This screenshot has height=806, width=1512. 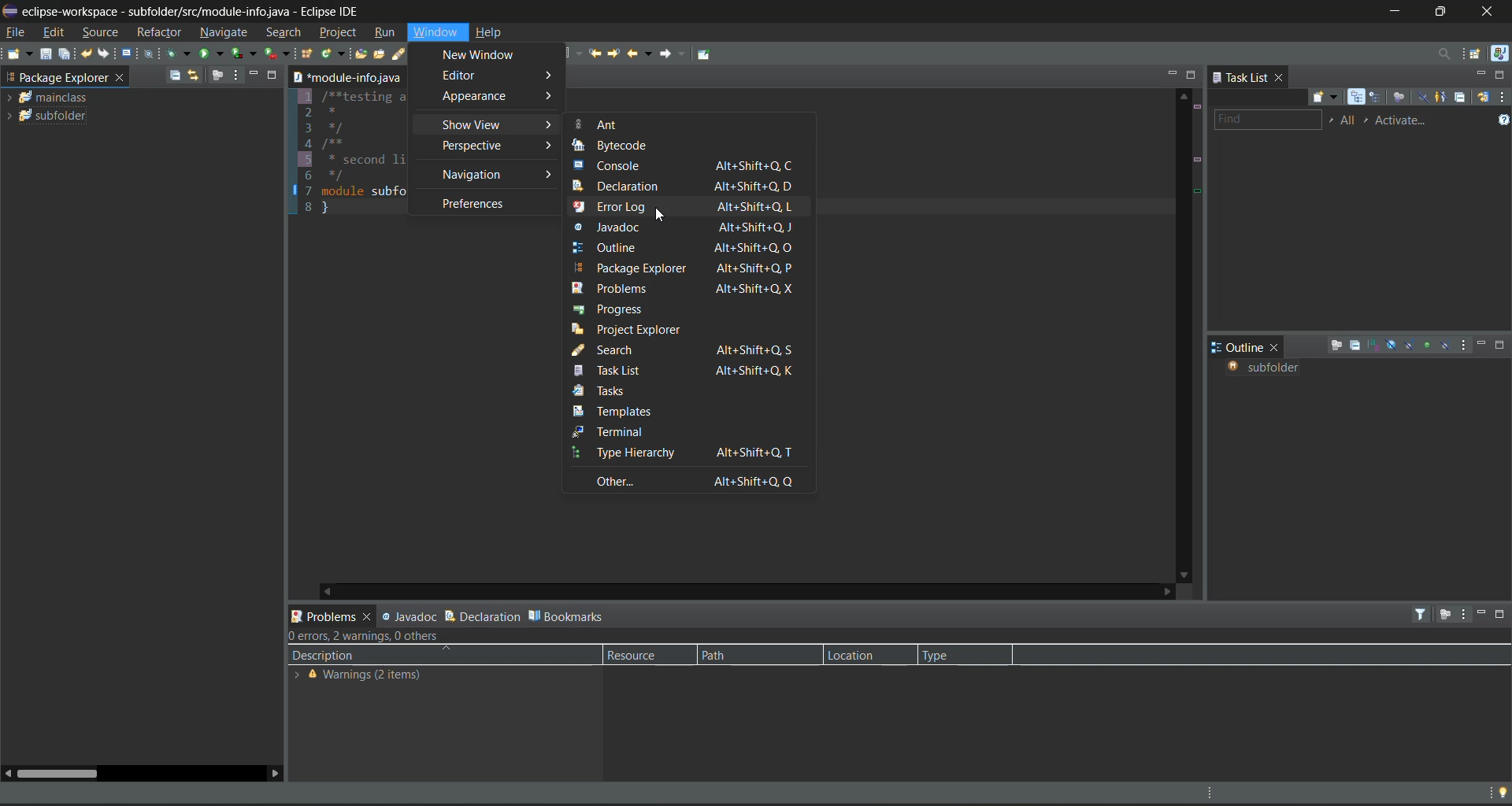 I want to click on source, so click(x=102, y=33).